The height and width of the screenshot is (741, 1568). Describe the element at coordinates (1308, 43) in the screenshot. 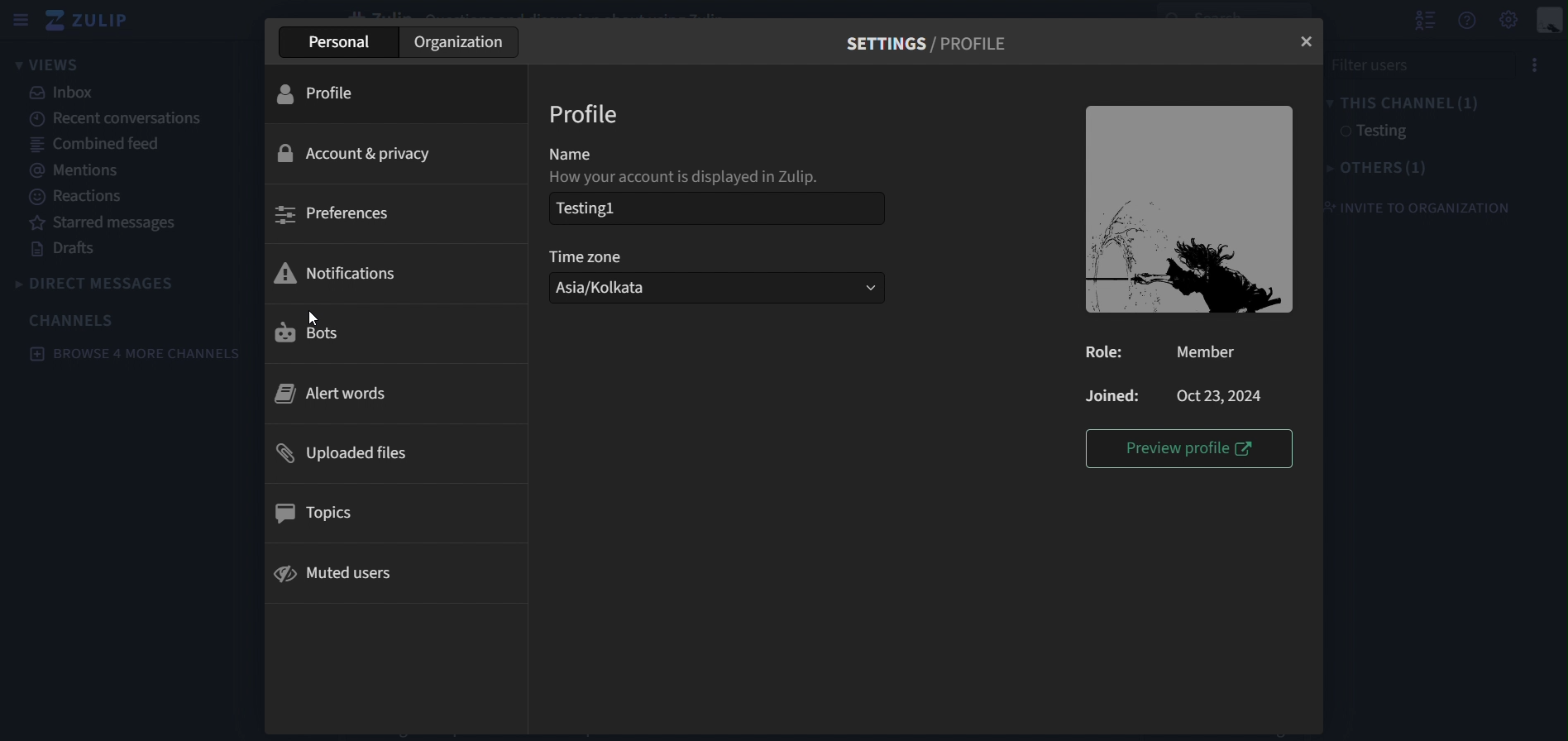

I see `close` at that location.